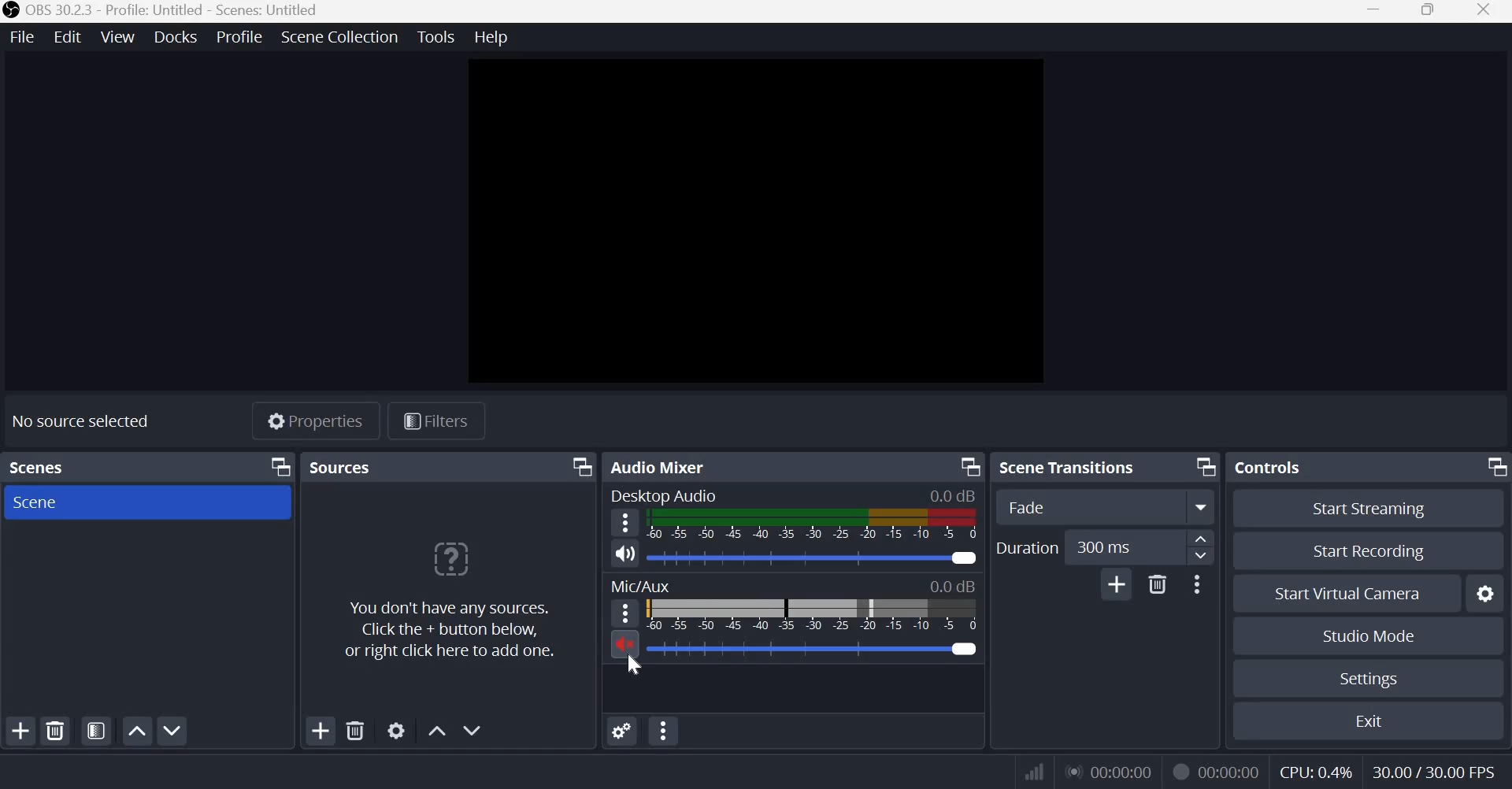  Describe the element at coordinates (493, 36) in the screenshot. I see `Help` at that location.